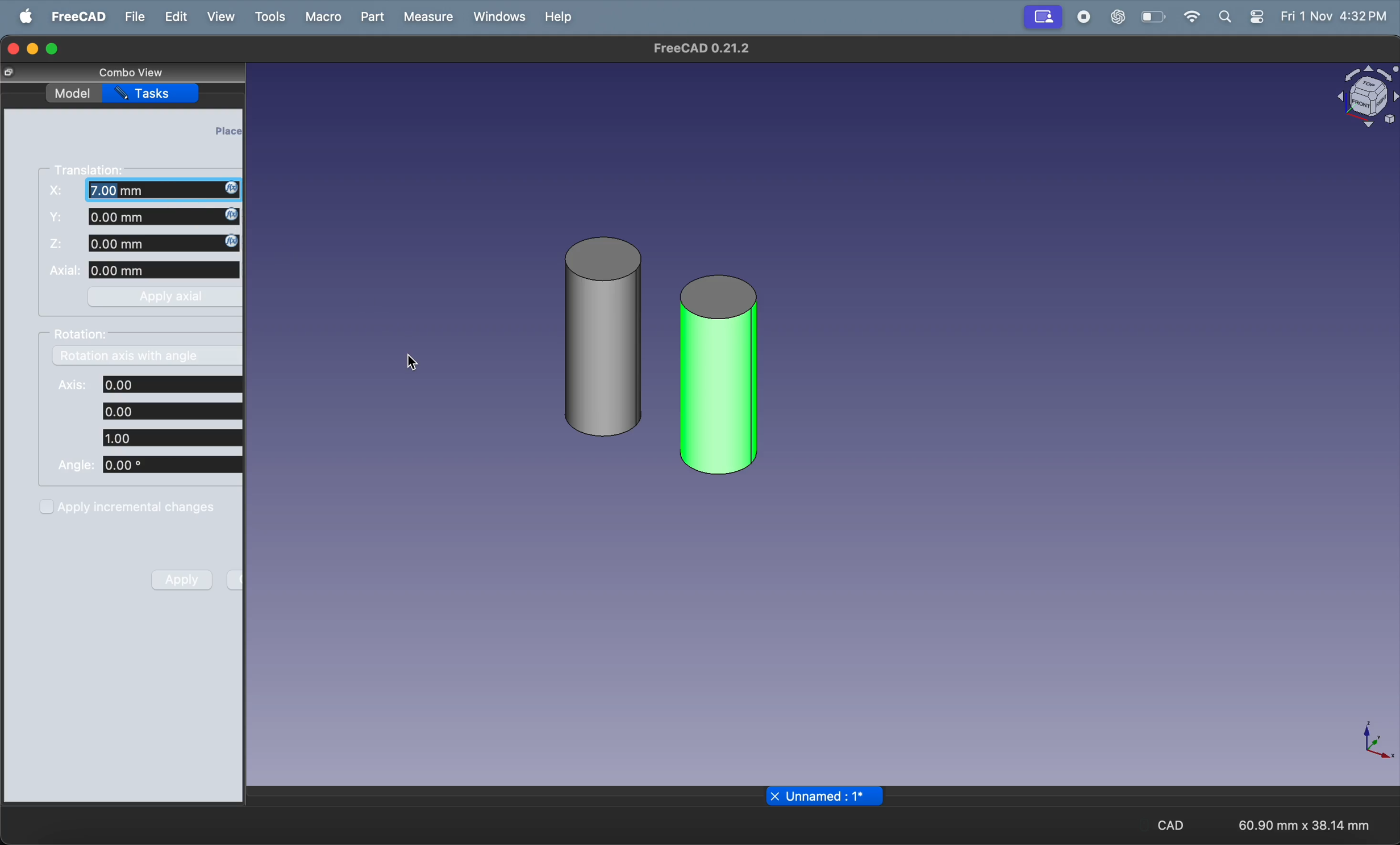 Image resolution: width=1400 pixels, height=845 pixels. Describe the element at coordinates (64, 270) in the screenshot. I see `Axial:` at that location.